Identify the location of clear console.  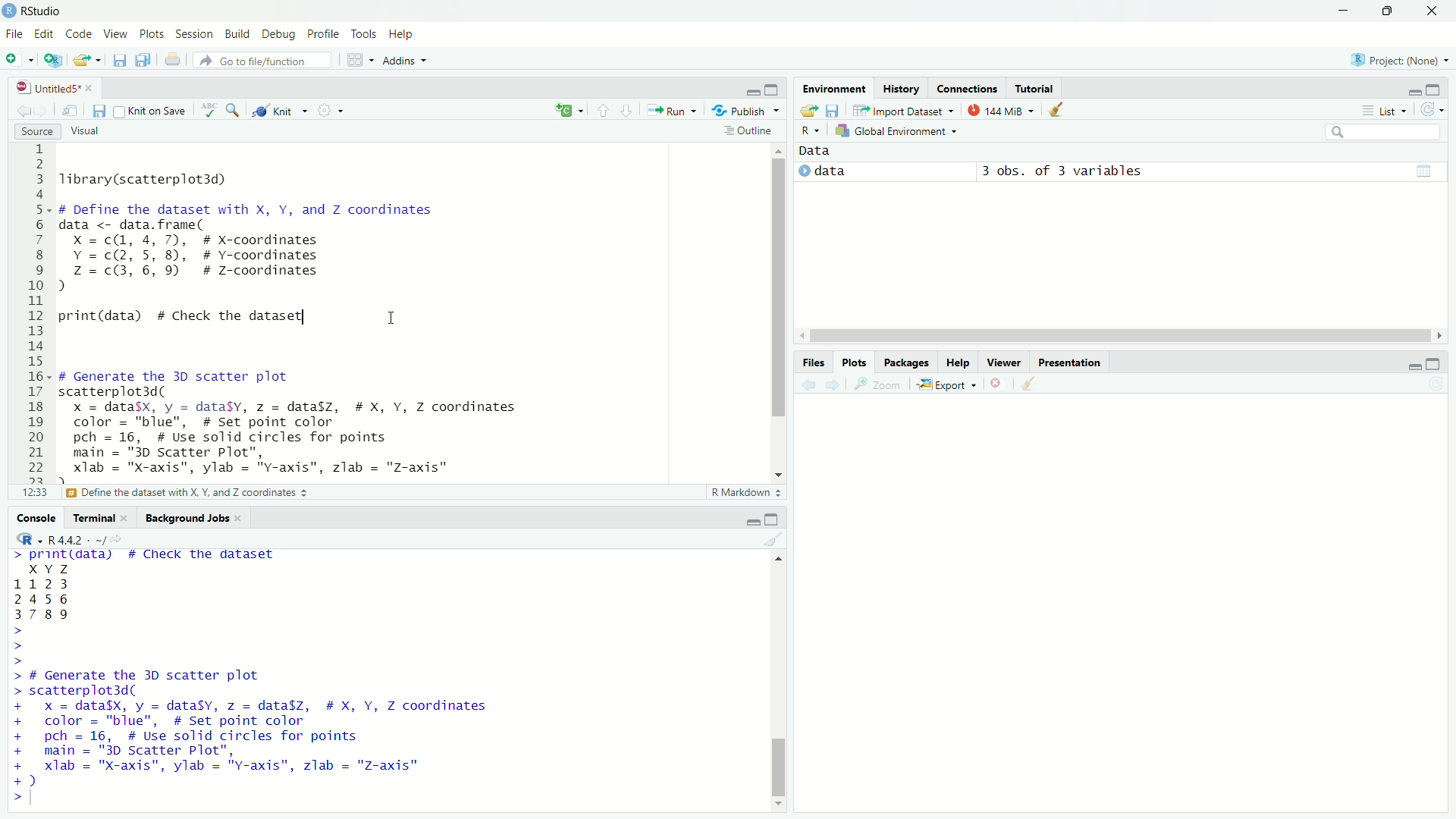
(778, 538).